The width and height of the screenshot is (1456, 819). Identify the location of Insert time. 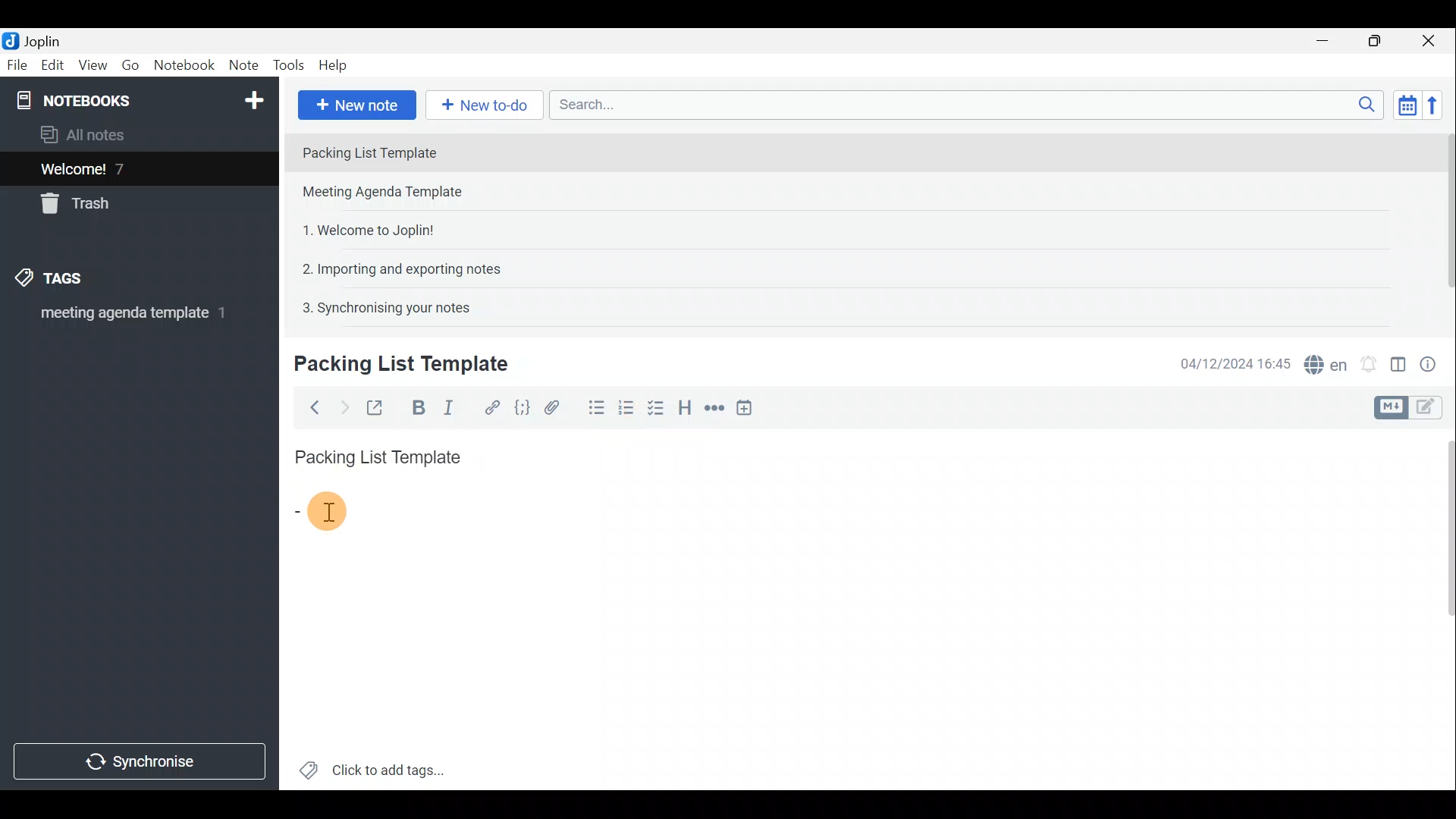
(749, 407).